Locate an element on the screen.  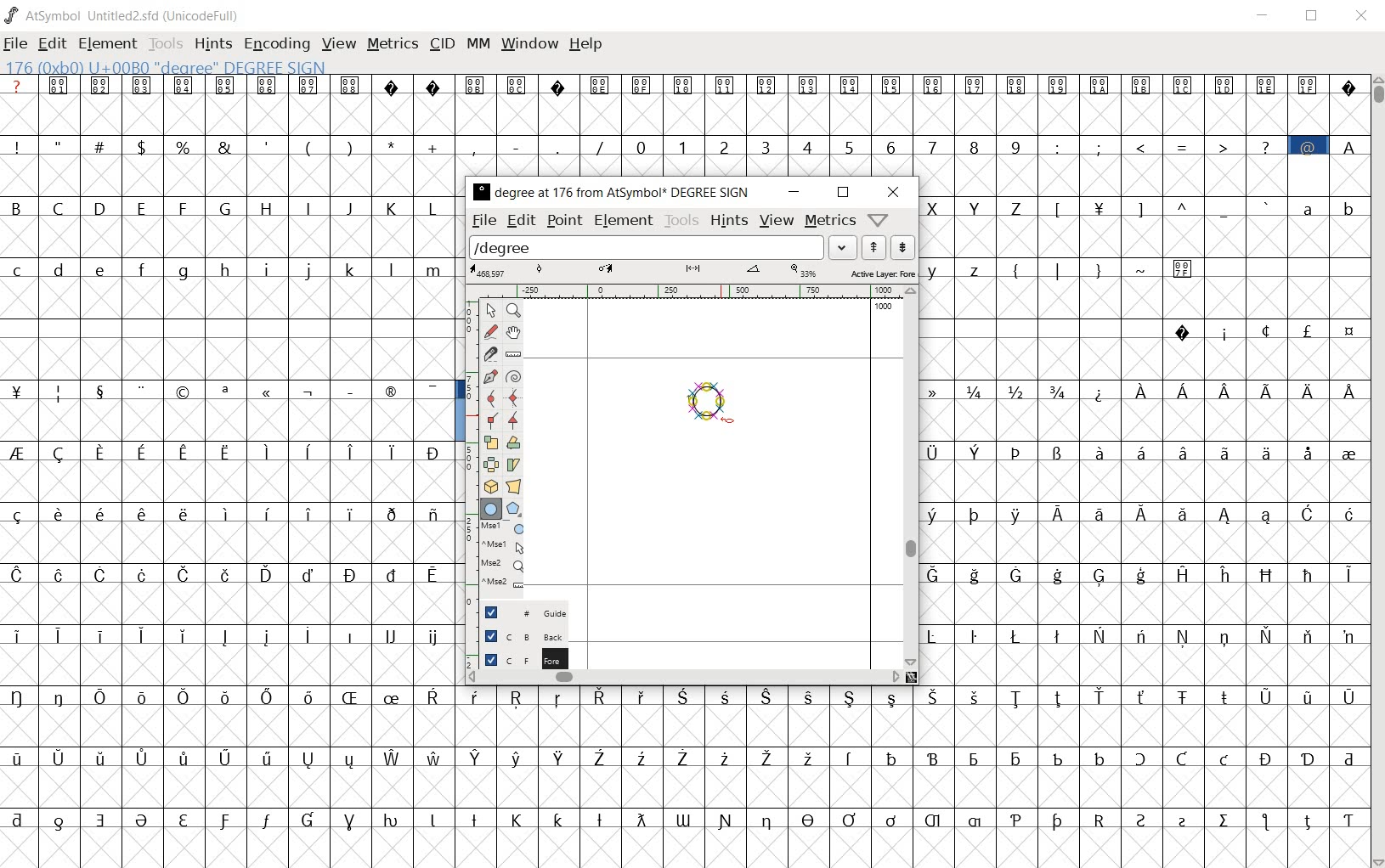
change whether spiro is active or not is located at coordinates (513, 375).